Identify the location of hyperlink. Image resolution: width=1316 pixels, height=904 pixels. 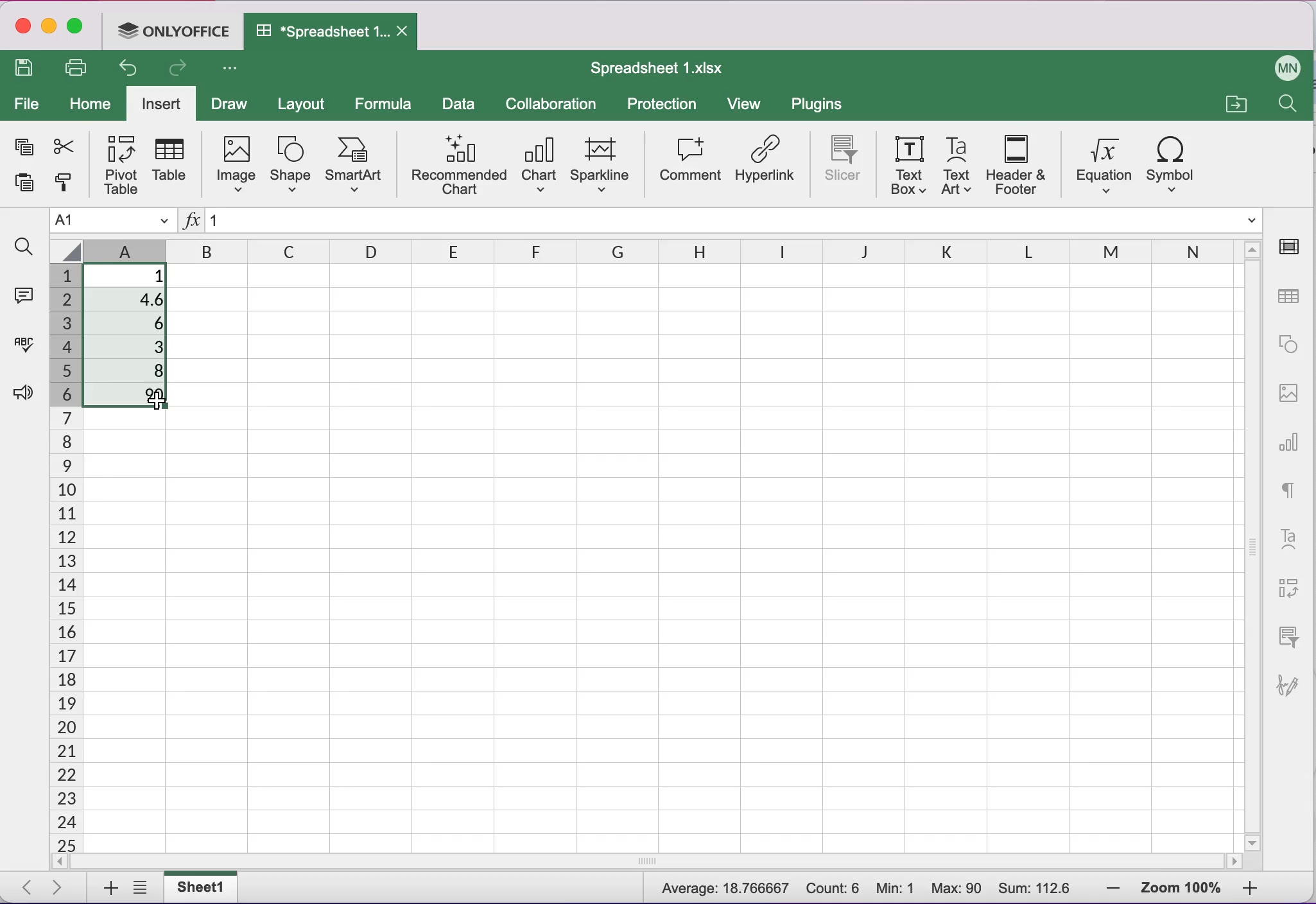
(767, 164).